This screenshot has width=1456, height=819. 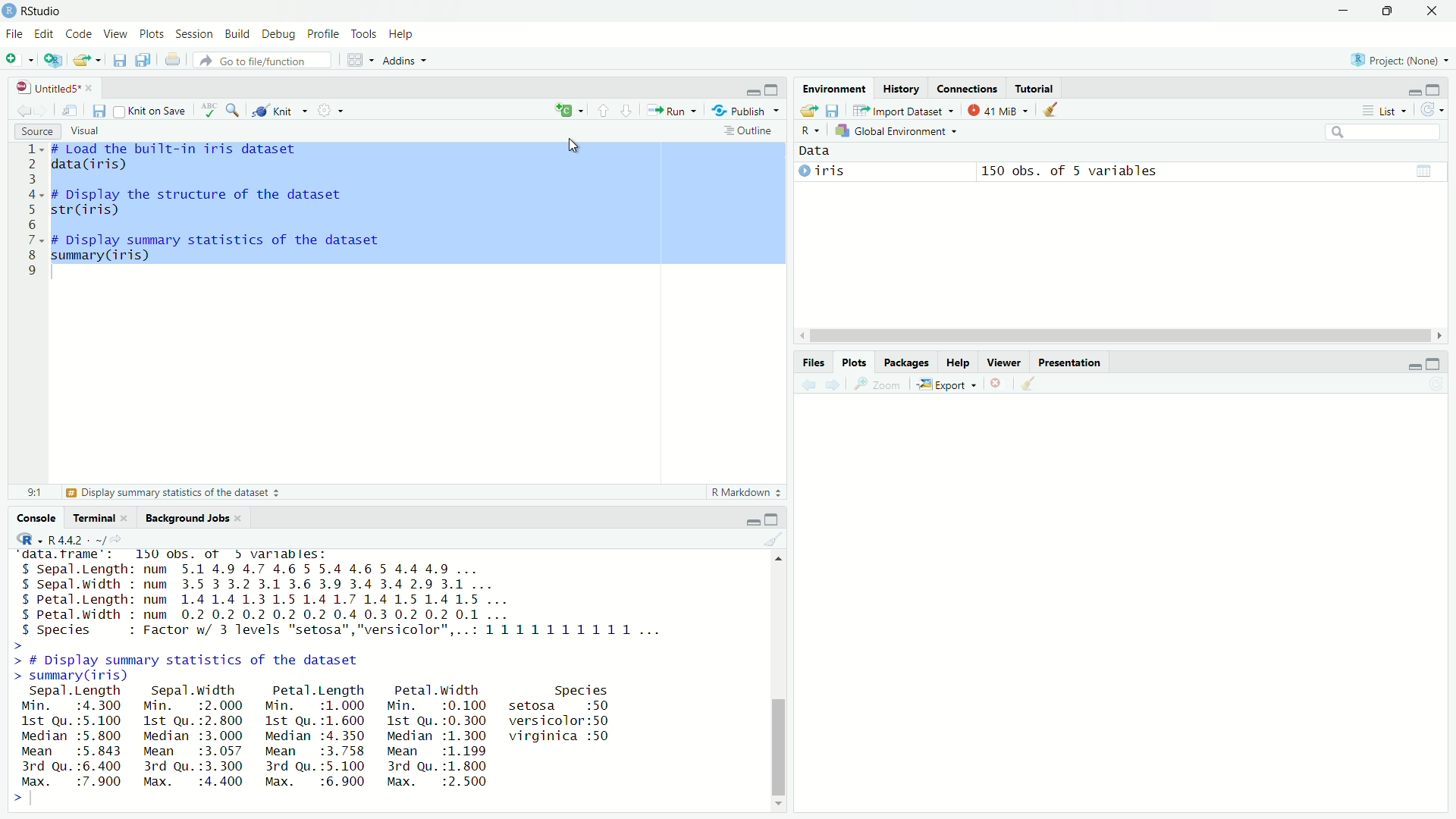 I want to click on Files, so click(x=814, y=362).